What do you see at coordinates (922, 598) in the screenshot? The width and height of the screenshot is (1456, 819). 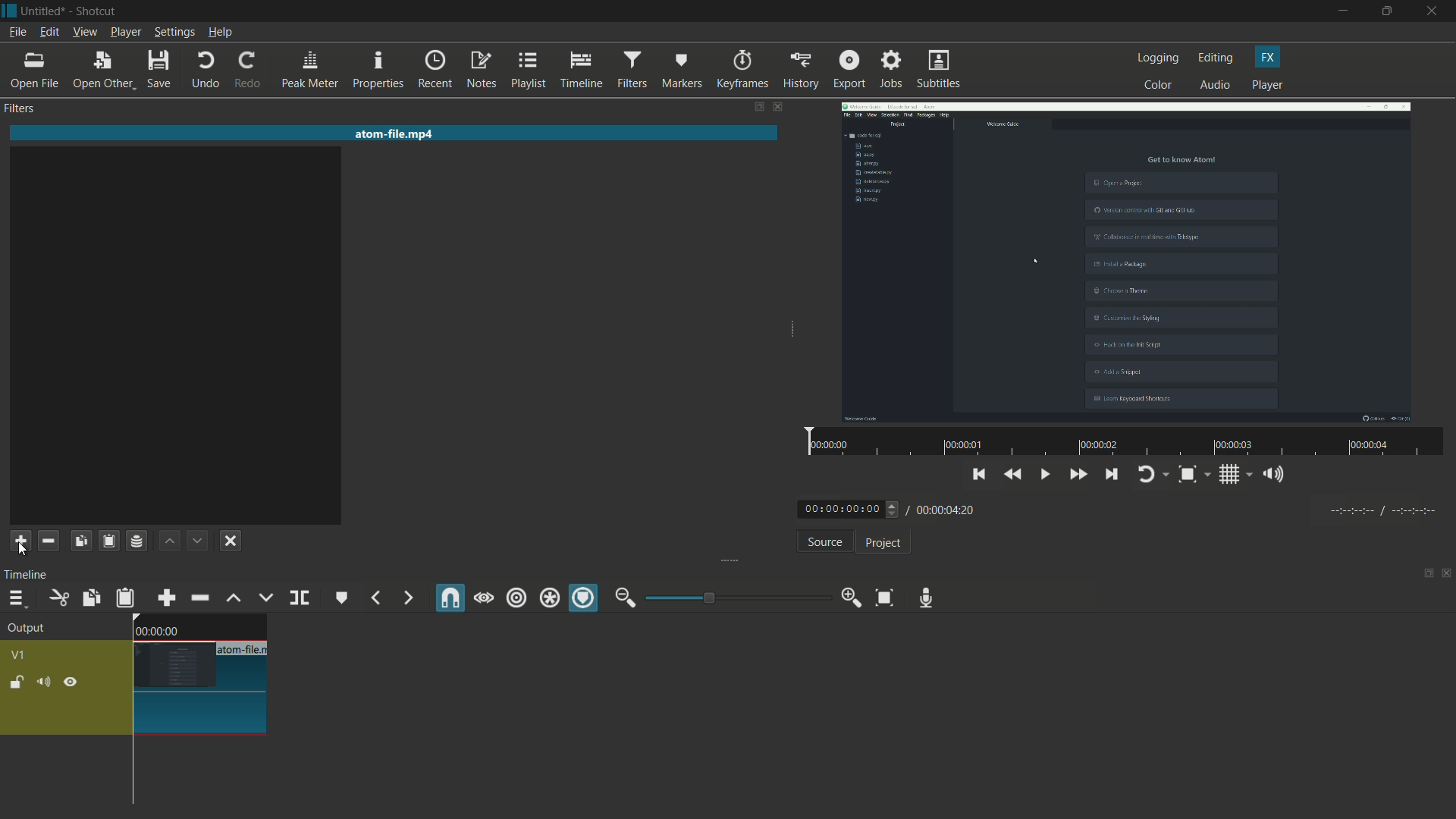 I see `record audio` at bounding box center [922, 598].